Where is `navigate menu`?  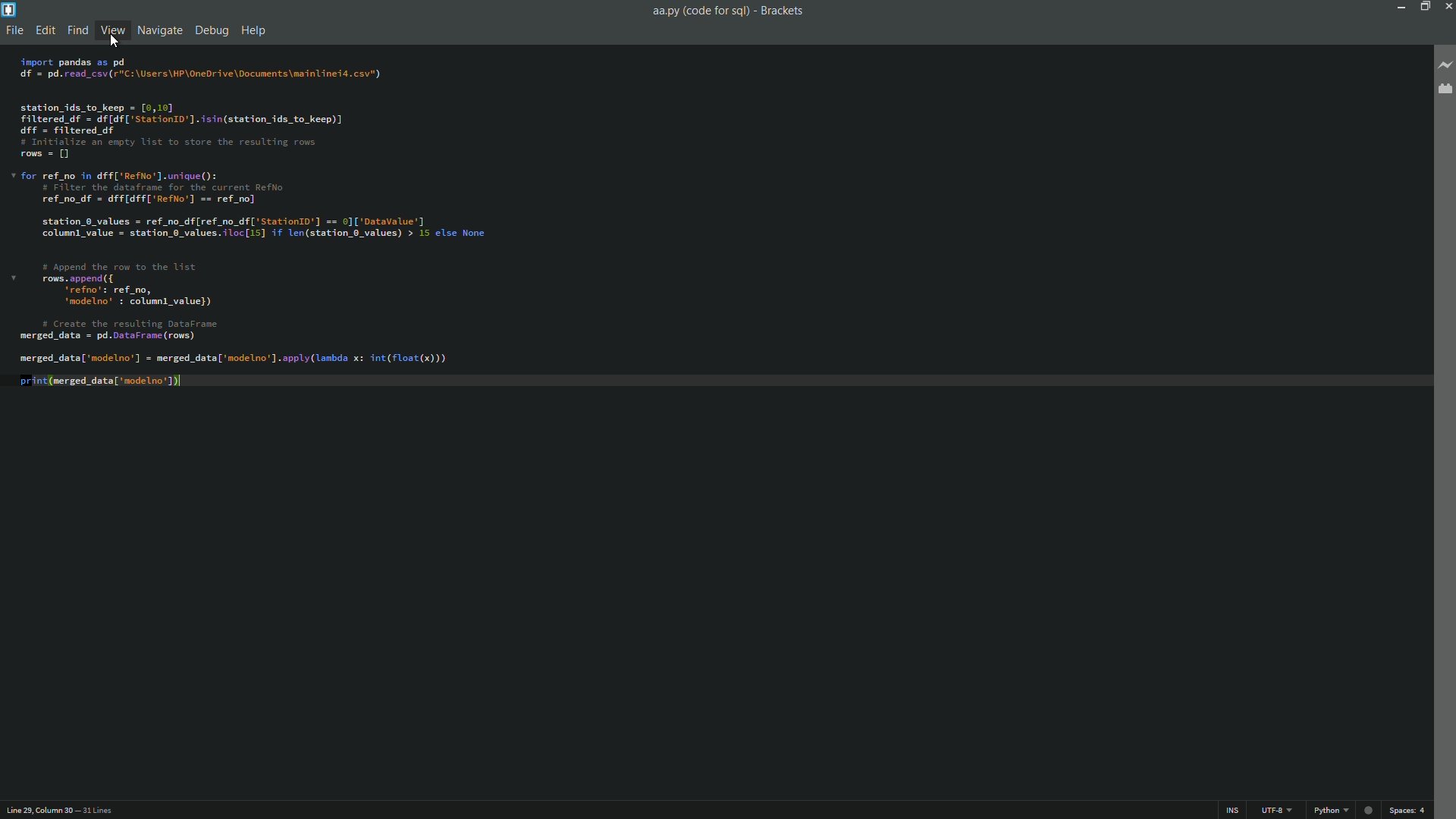
navigate menu is located at coordinates (160, 30).